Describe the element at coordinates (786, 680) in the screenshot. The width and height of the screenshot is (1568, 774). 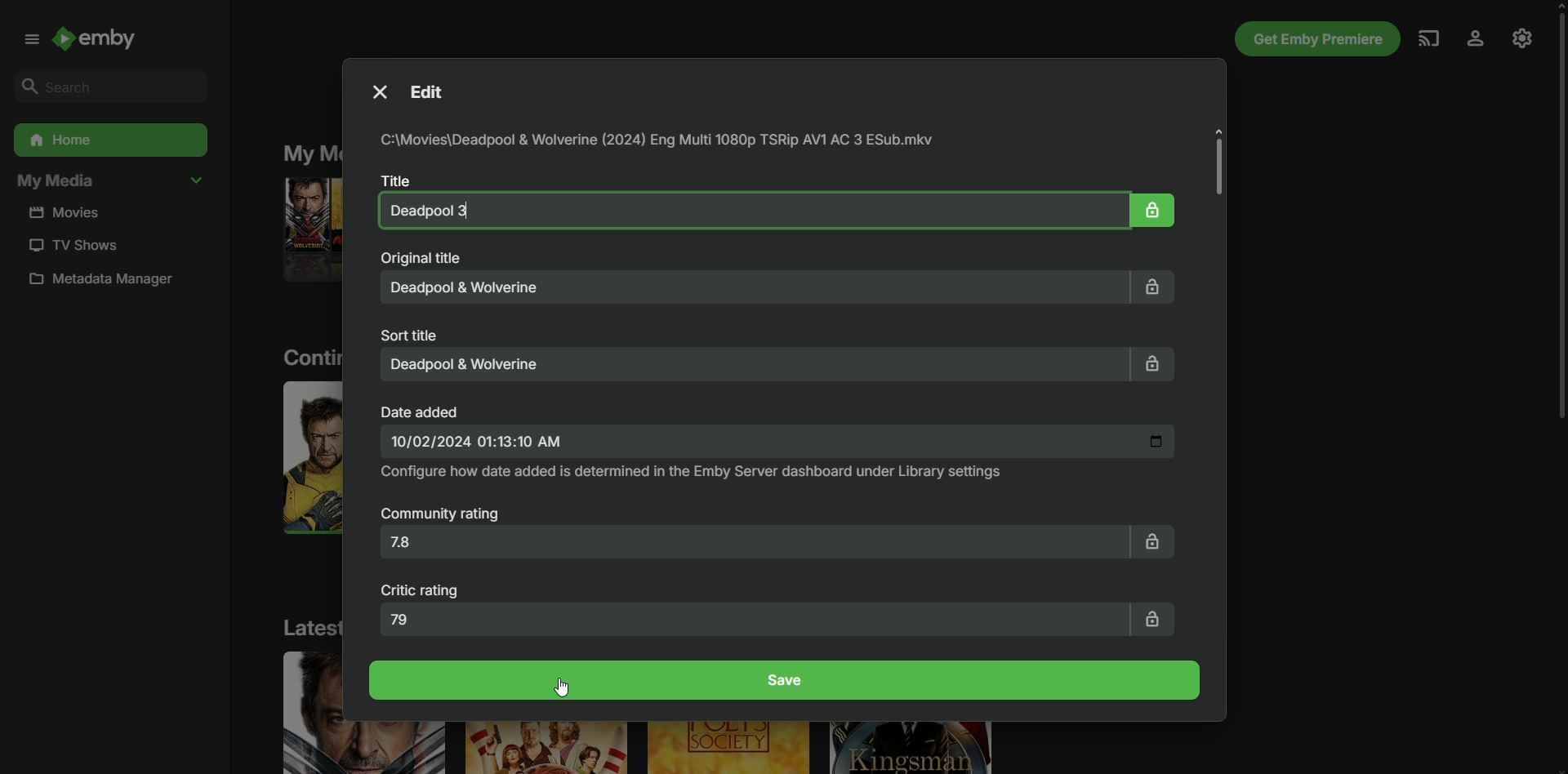
I see `Save` at that location.